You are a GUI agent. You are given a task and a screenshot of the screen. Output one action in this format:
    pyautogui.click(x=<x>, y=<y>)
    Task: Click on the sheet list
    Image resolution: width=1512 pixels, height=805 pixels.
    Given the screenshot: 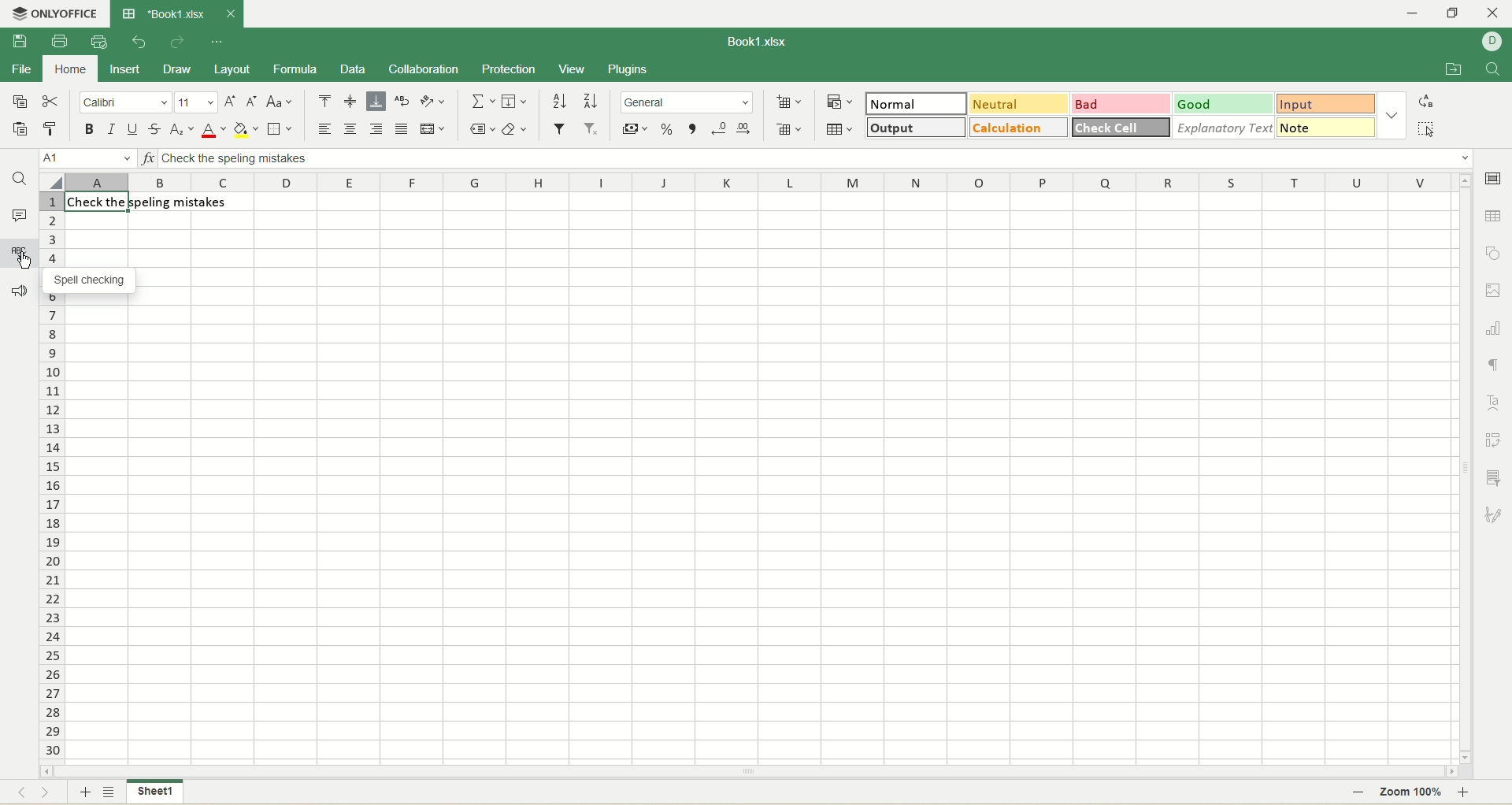 What is the action you would take?
    pyautogui.click(x=109, y=793)
    